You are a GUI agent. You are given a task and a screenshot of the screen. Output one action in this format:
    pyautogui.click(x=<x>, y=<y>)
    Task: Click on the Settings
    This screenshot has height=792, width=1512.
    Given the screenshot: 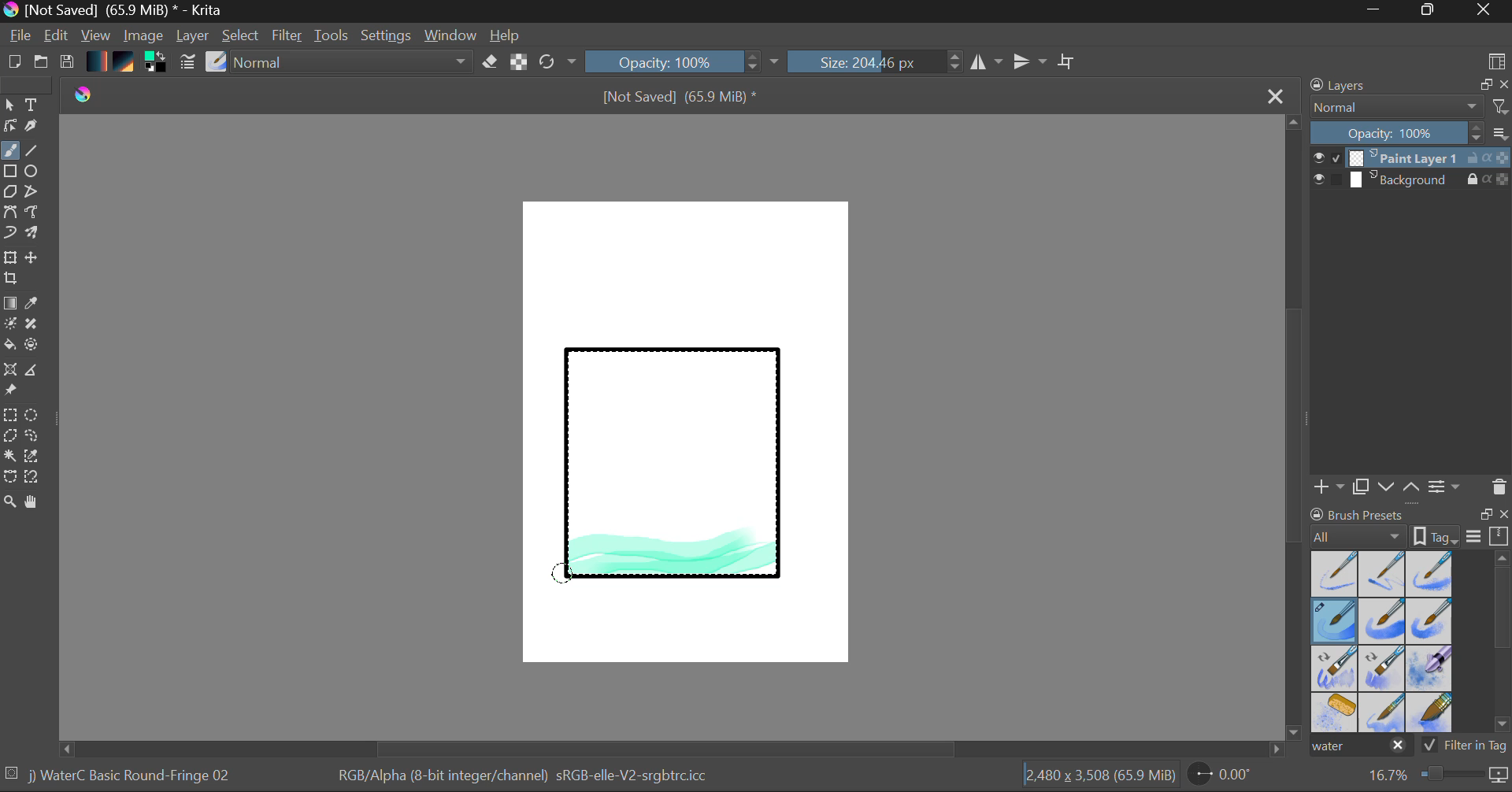 What is the action you would take?
    pyautogui.click(x=387, y=35)
    